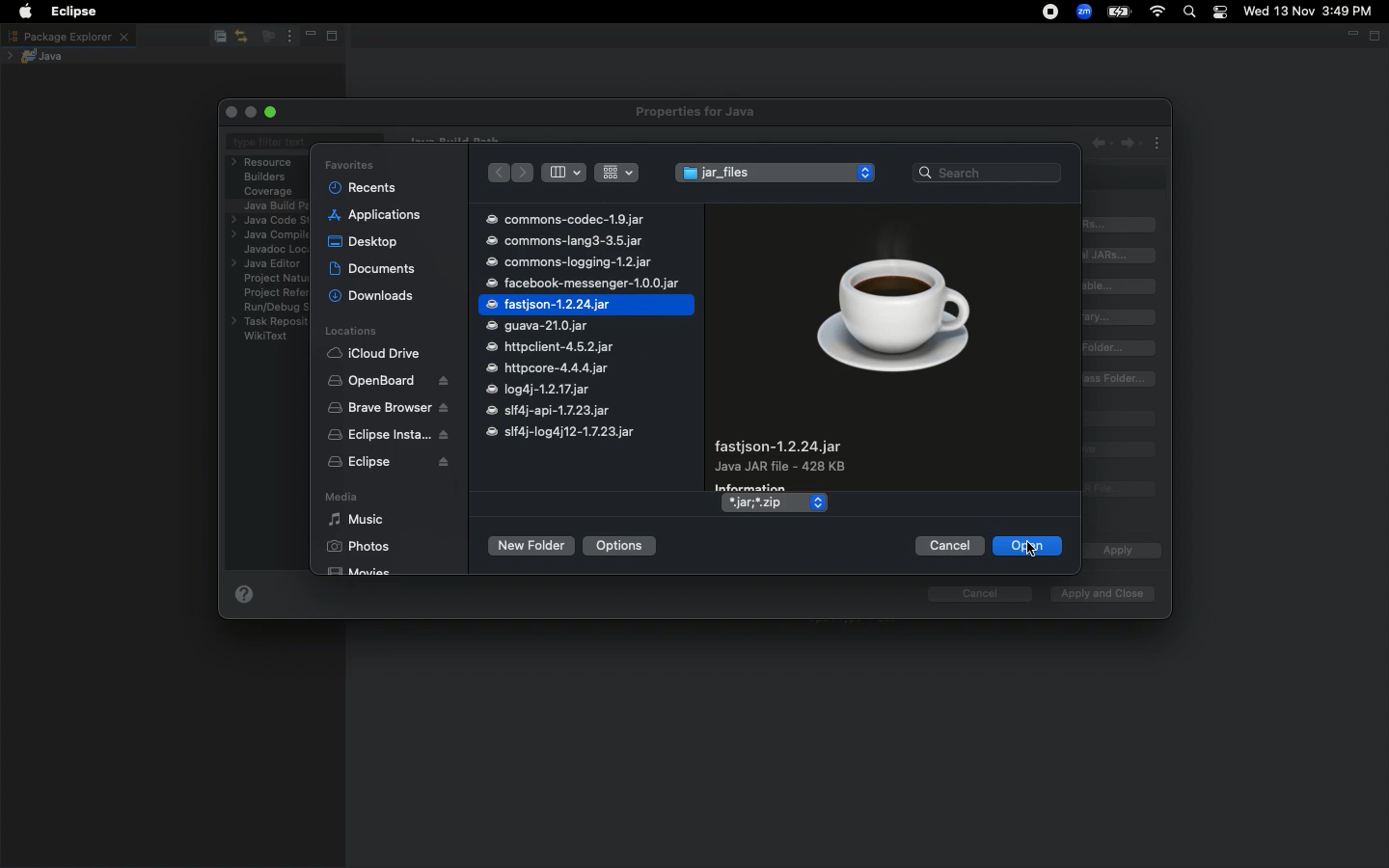  I want to click on Eclipse installer, so click(384, 436).